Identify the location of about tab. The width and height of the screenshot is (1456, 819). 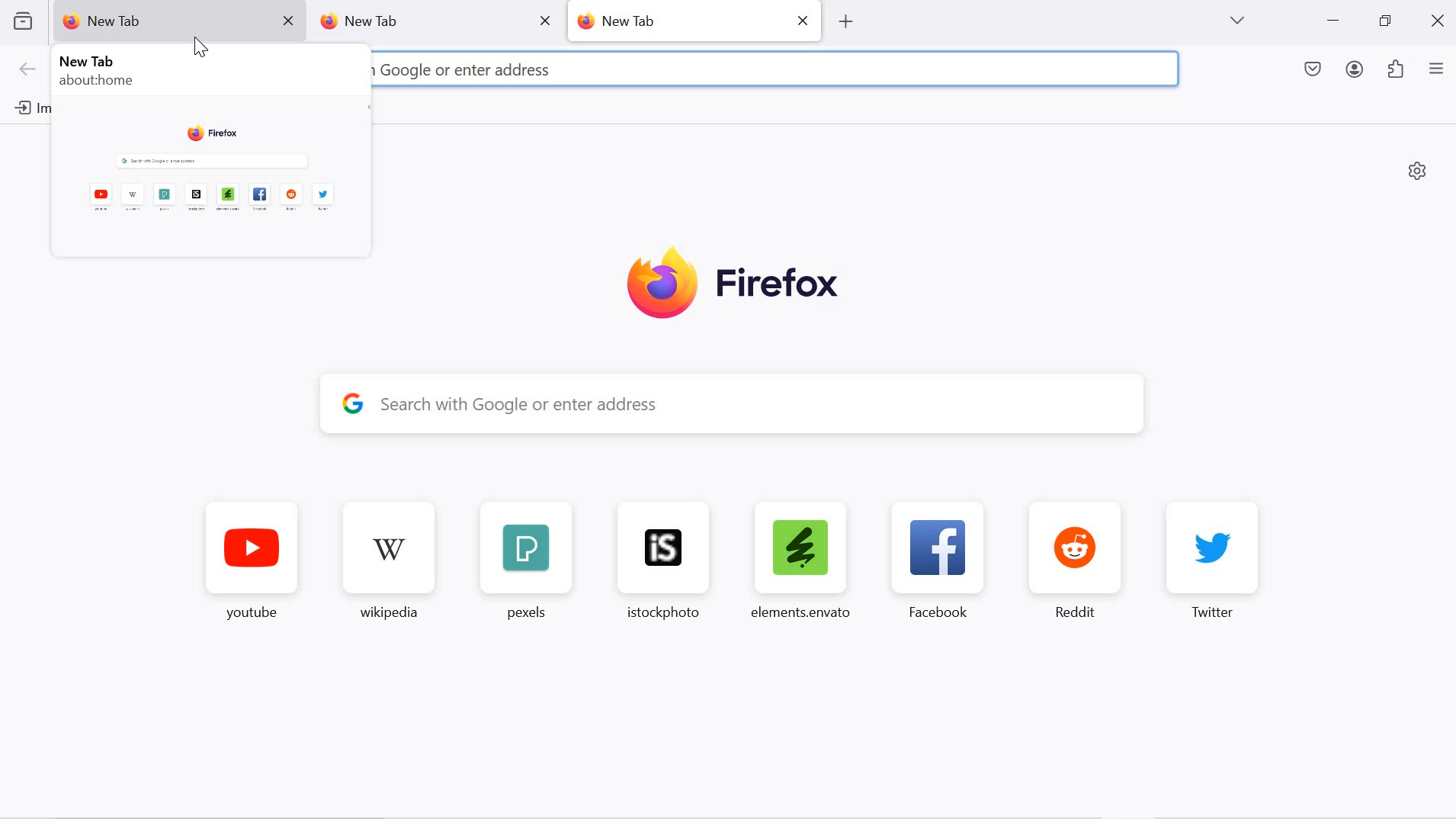
(207, 153).